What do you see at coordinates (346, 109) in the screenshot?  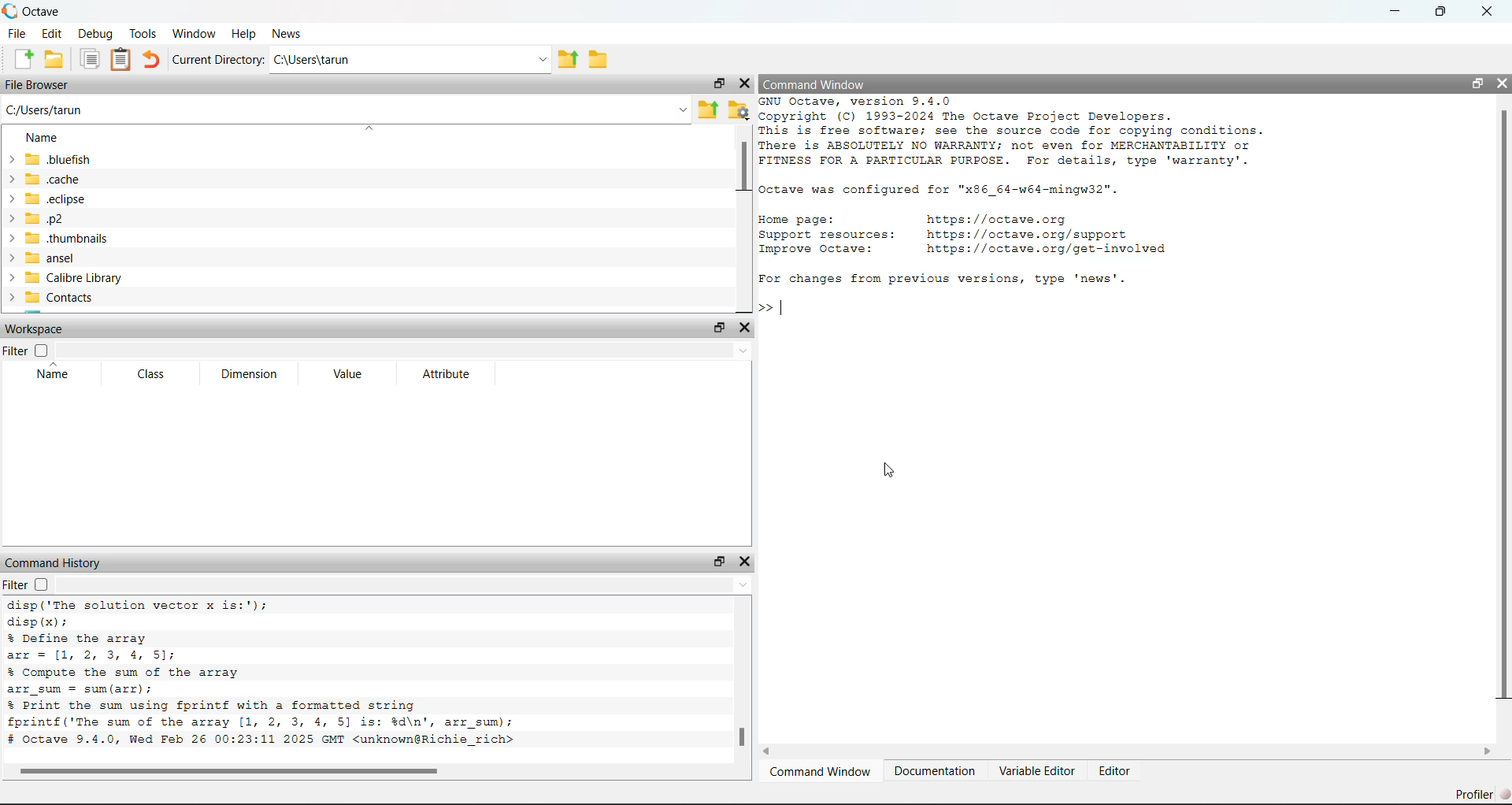 I see `C:/Users/tarun ` at bounding box center [346, 109].